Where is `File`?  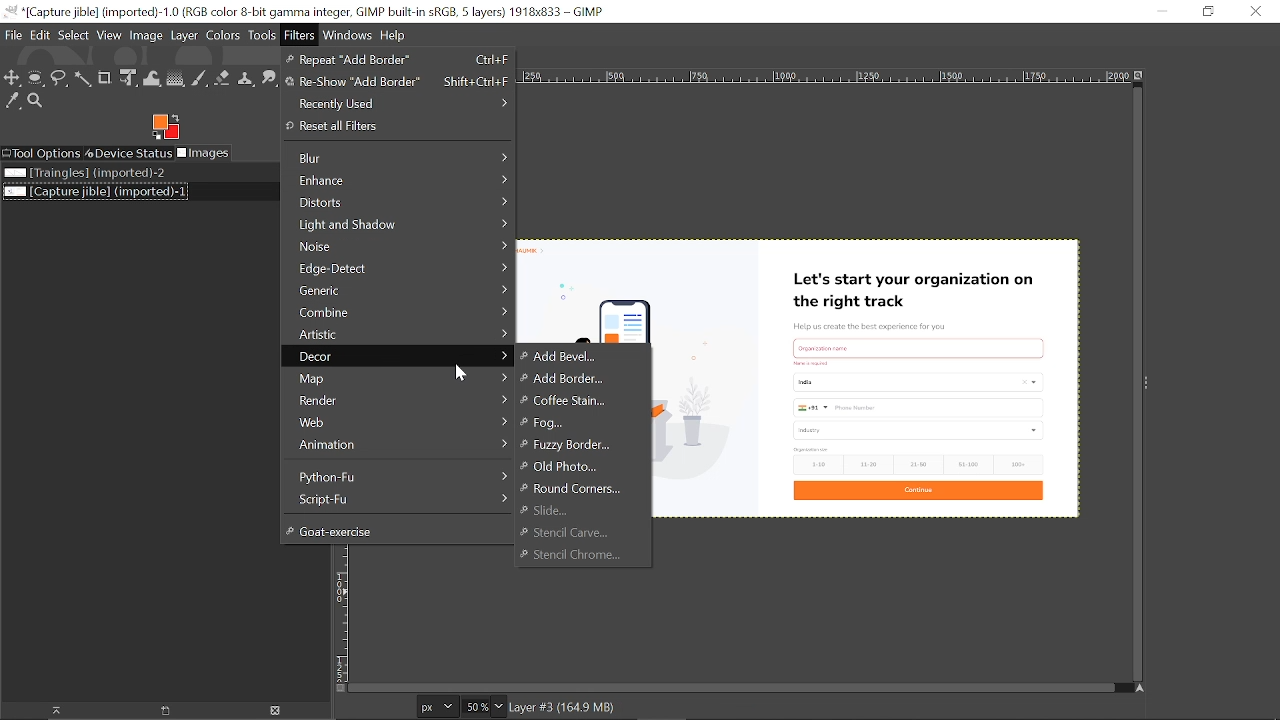
File is located at coordinates (14, 35).